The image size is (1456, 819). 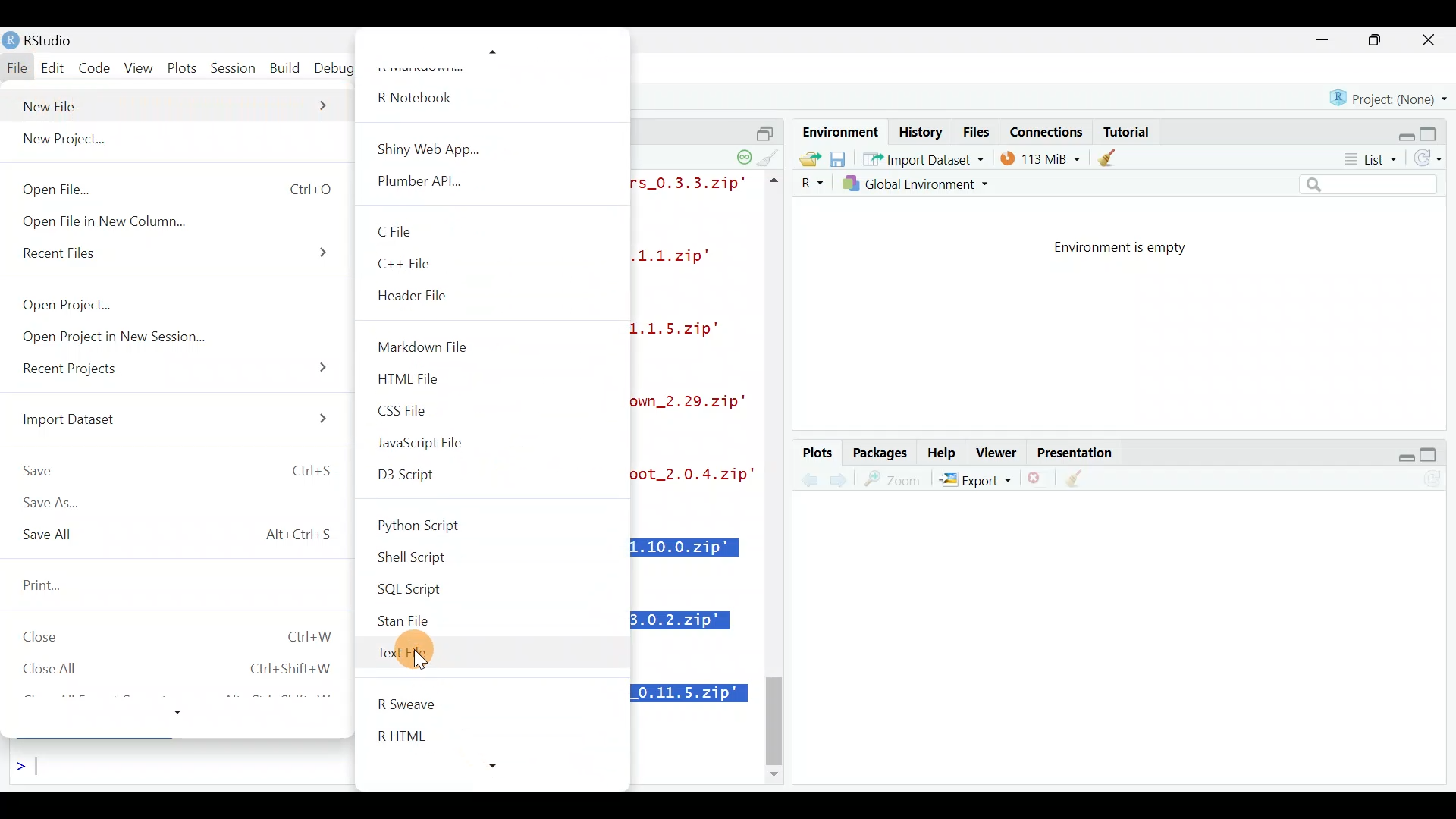 I want to click on Build, so click(x=286, y=67).